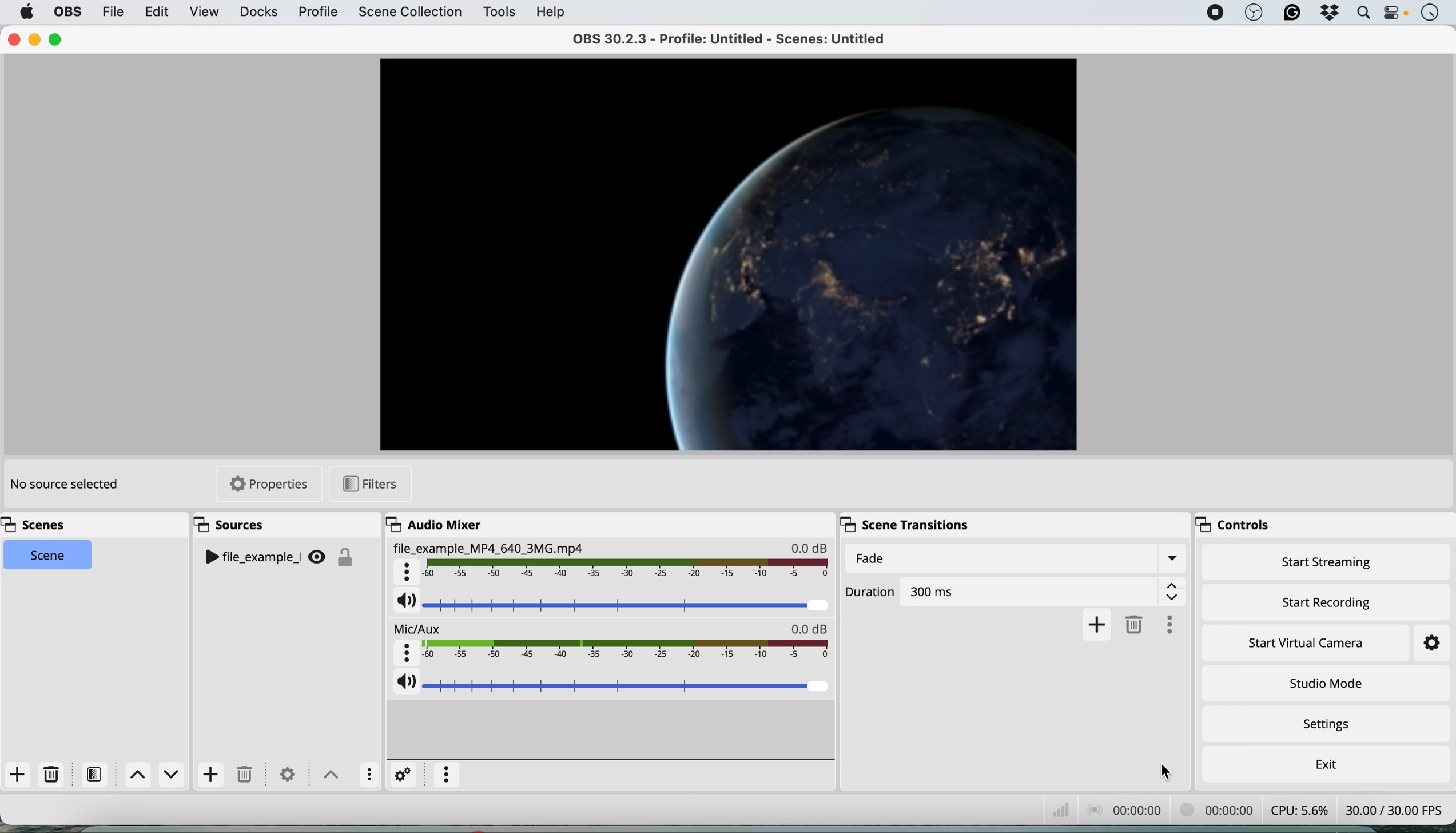 The width and height of the screenshot is (1456, 833). Describe the element at coordinates (1214, 13) in the screenshot. I see `screen recorder` at that location.